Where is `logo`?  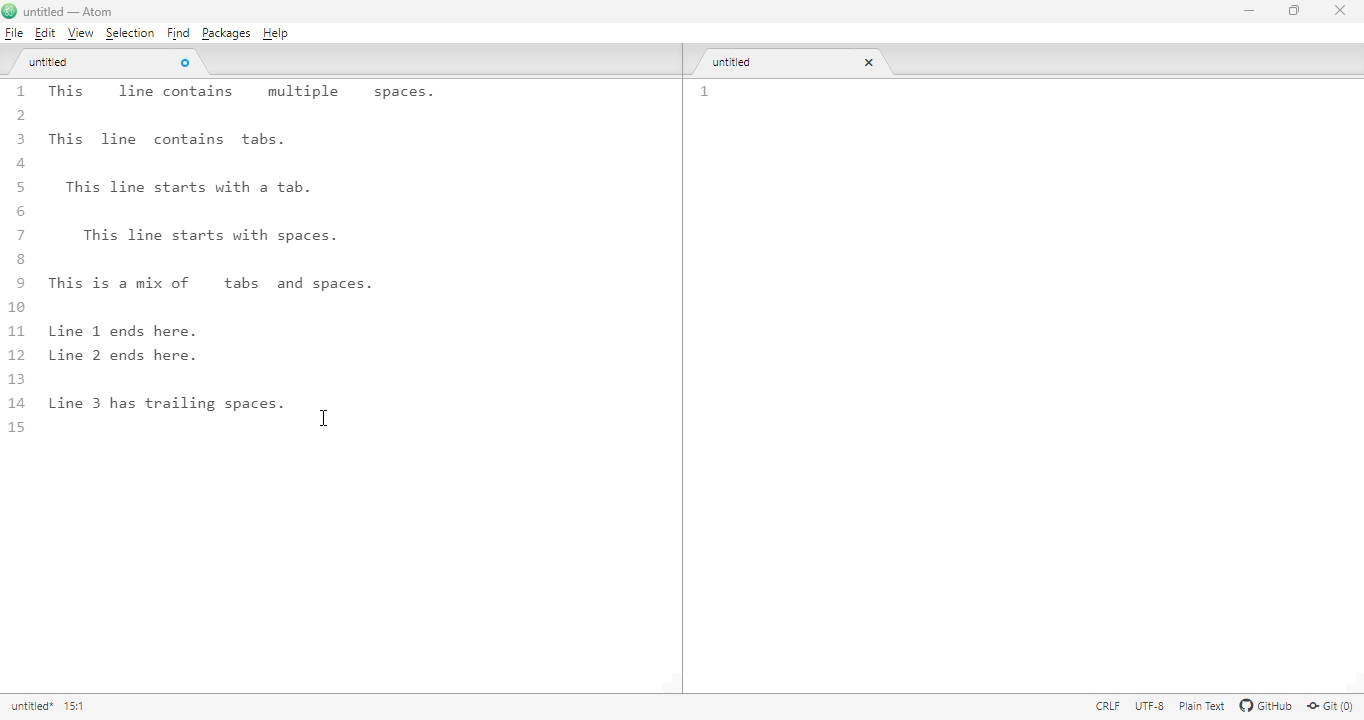
logo is located at coordinates (9, 11).